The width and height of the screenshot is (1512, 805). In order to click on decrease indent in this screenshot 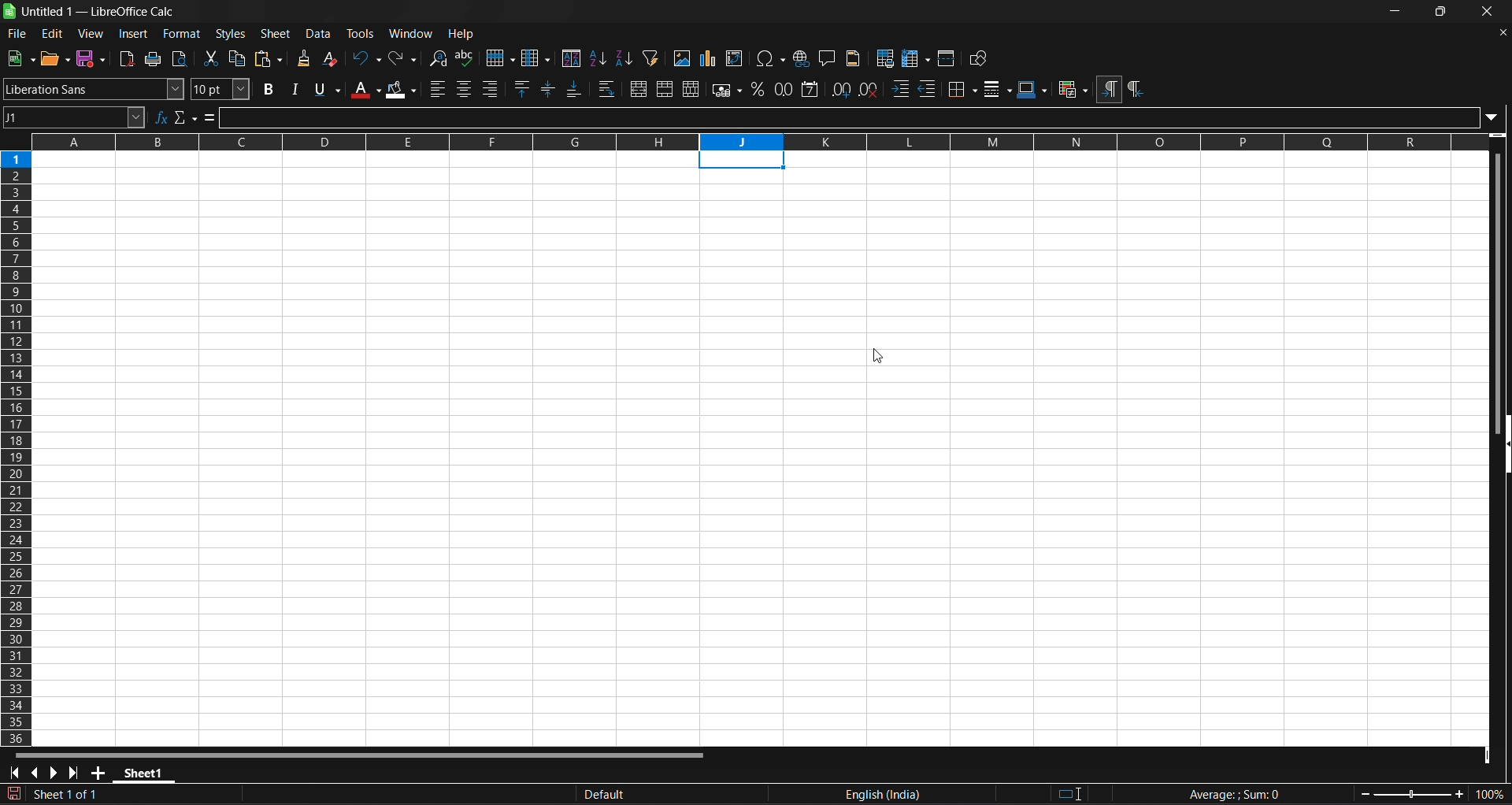, I will do `click(928, 88)`.